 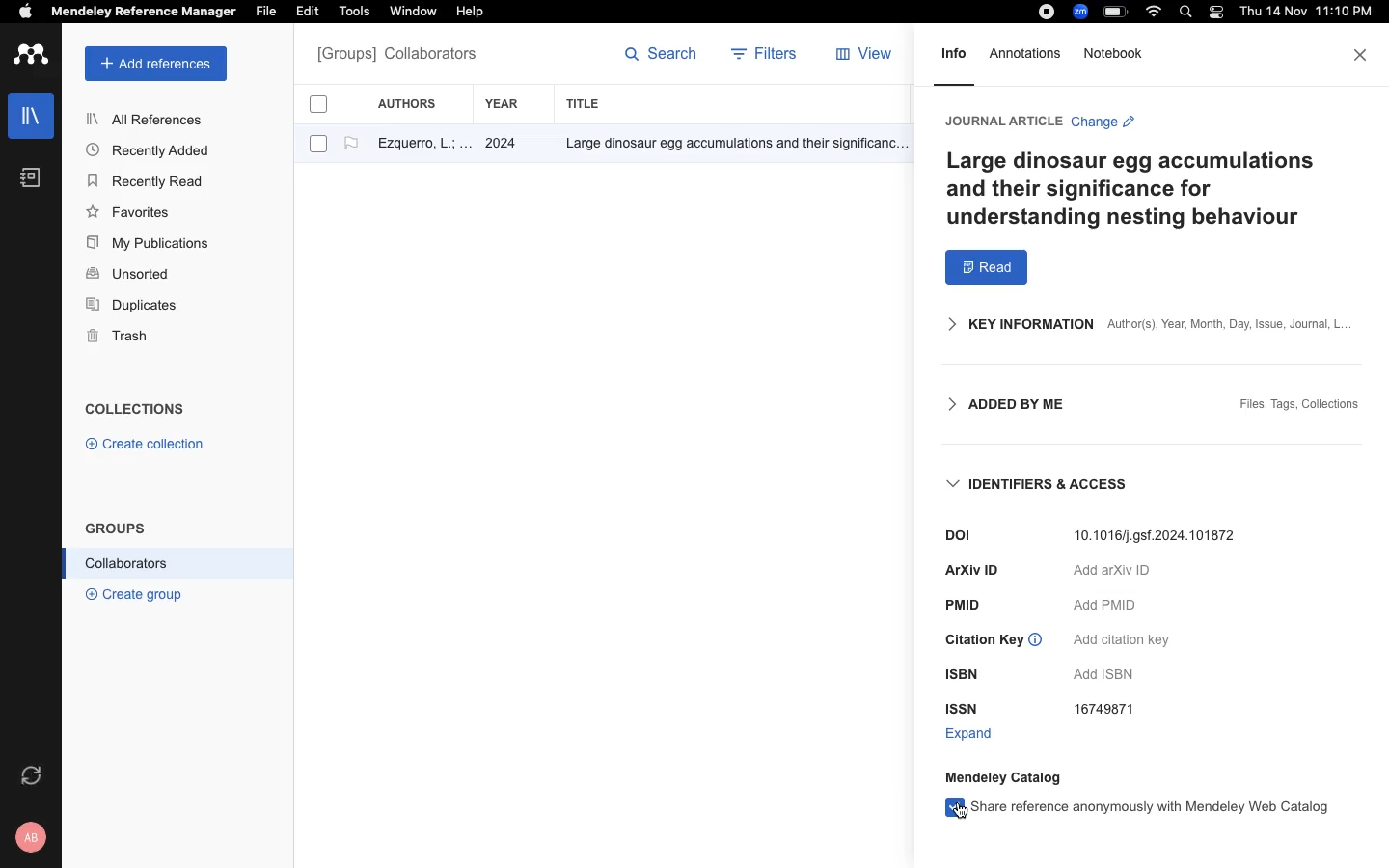 I want to click on notebook, so click(x=1116, y=53).